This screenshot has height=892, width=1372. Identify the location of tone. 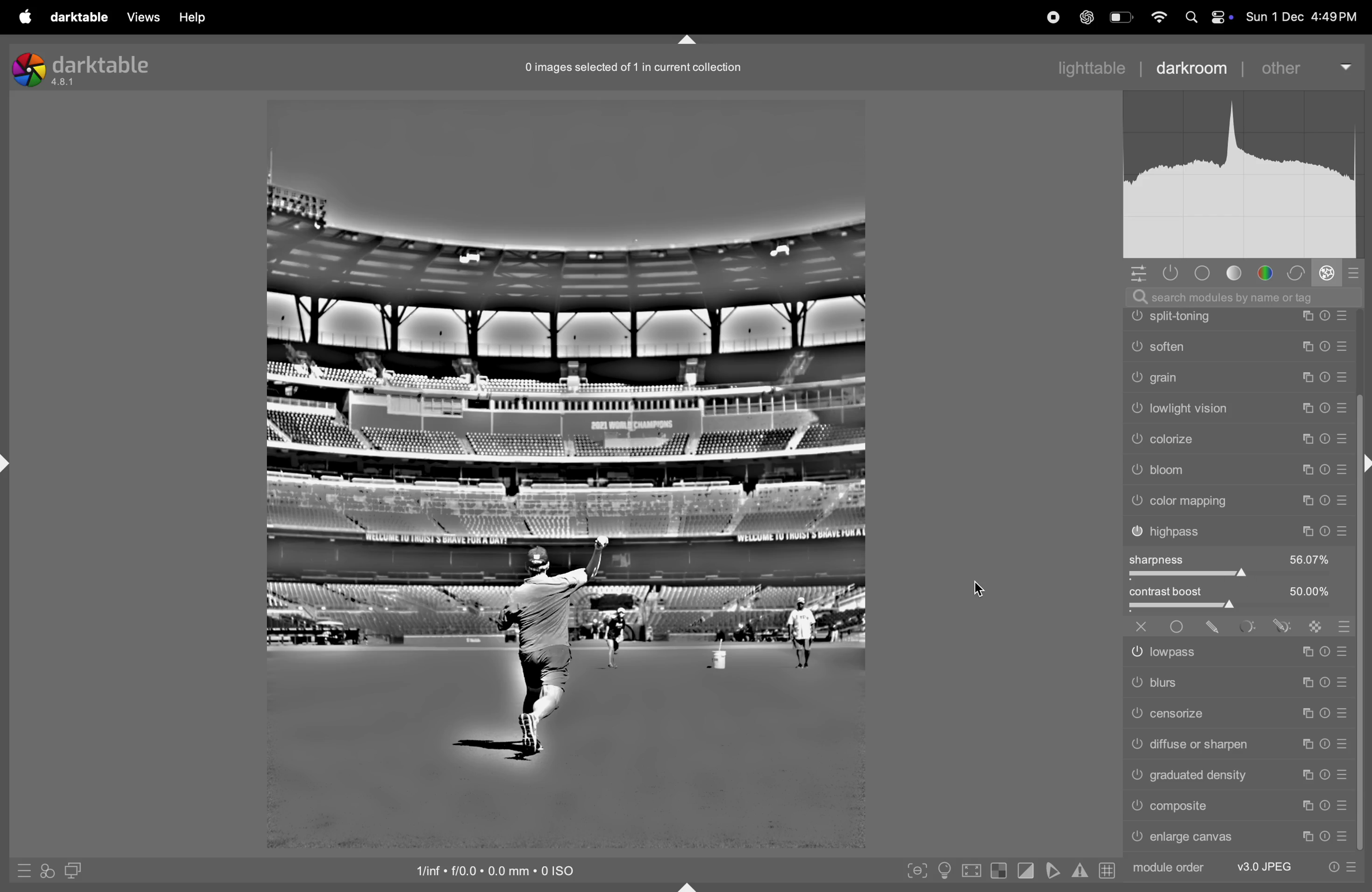
(1239, 273).